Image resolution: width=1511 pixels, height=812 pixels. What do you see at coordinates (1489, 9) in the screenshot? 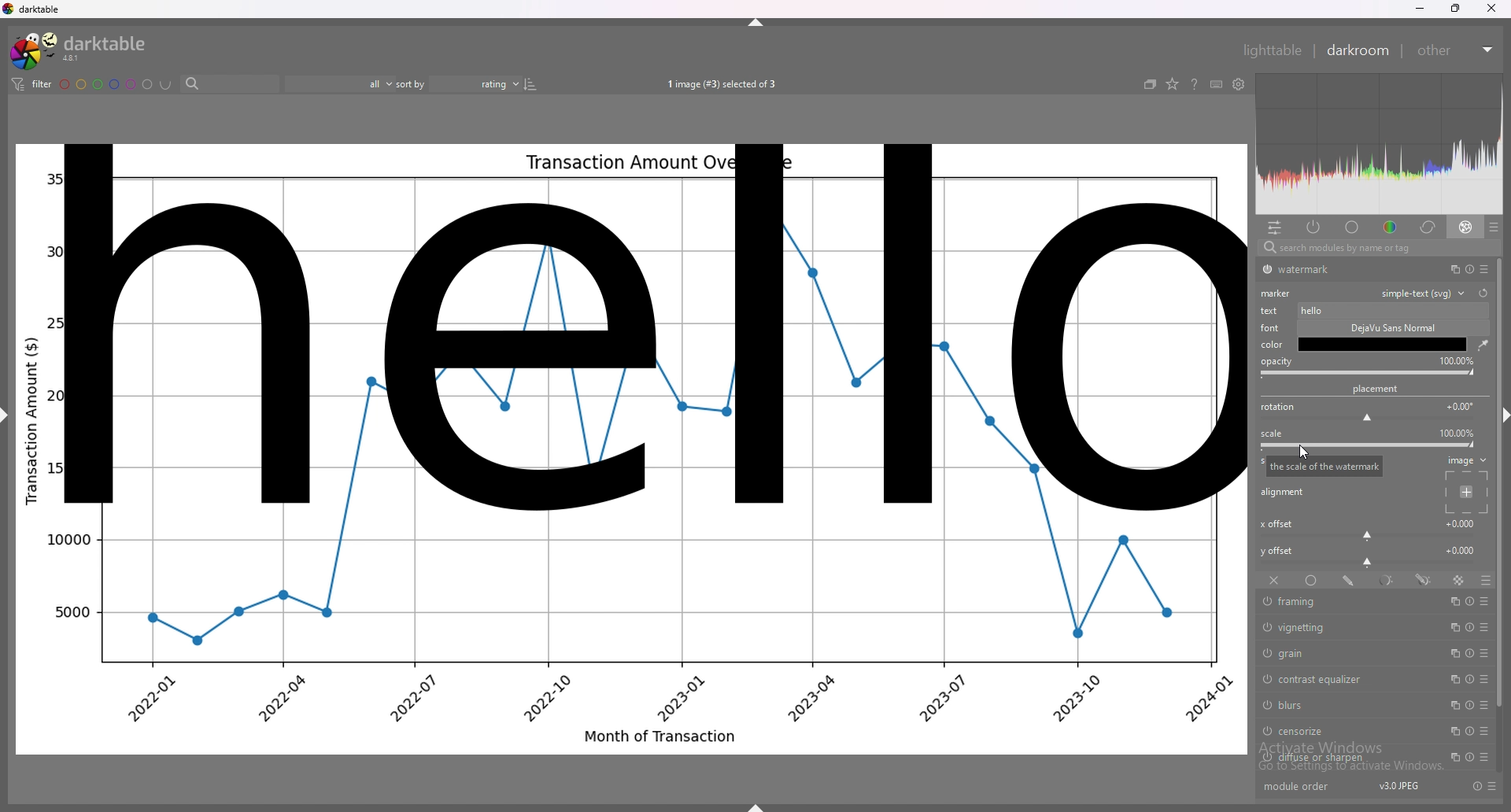
I see `close` at bounding box center [1489, 9].